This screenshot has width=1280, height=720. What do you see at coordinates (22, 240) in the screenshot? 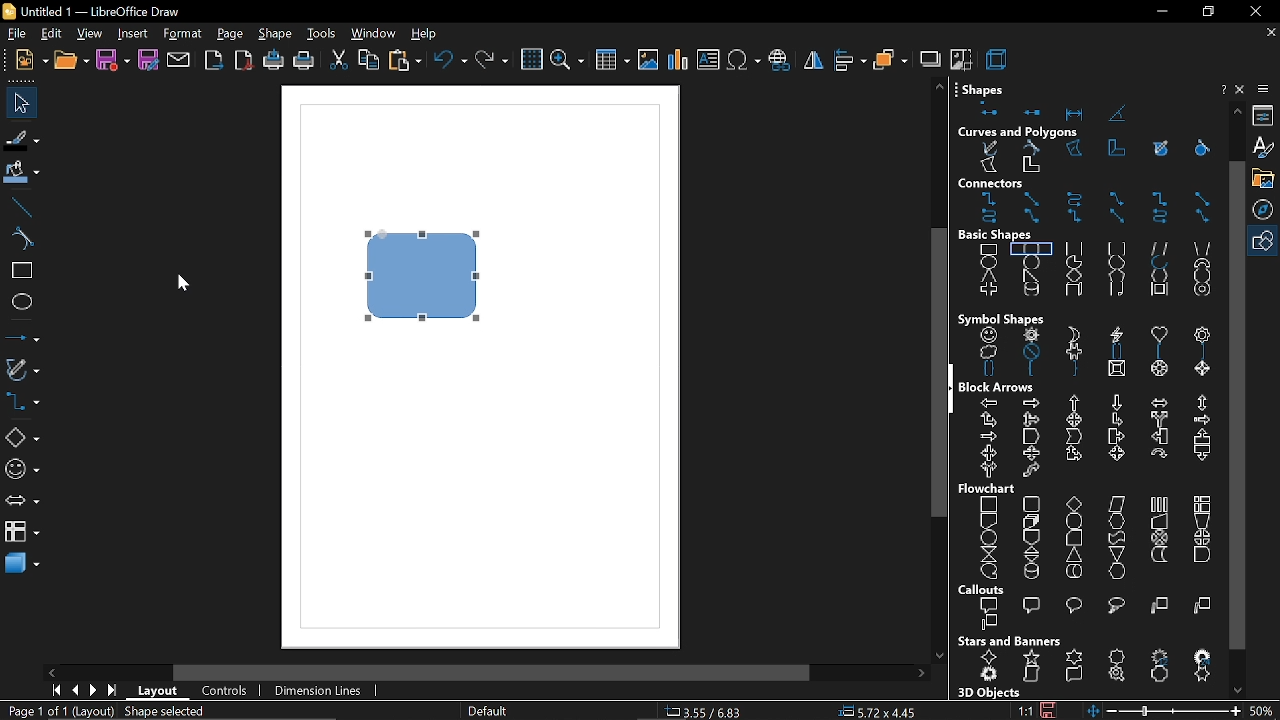
I see `curve` at bounding box center [22, 240].